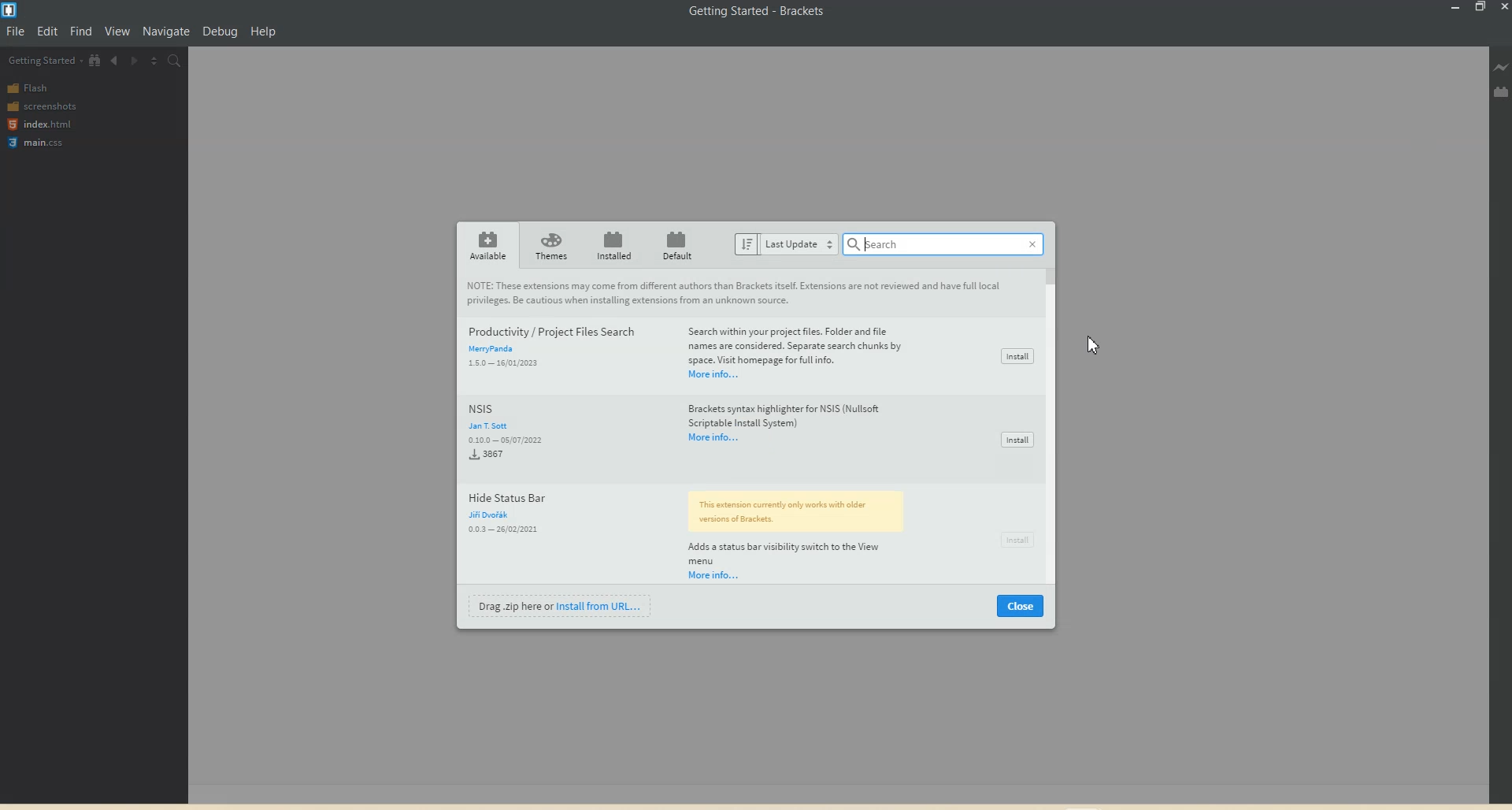 The height and width of the screenshot is (810, 1512). What do you see at coordinates (550, 245) in the screenshot?
I see `Themes` at bounding box center [550, 245].